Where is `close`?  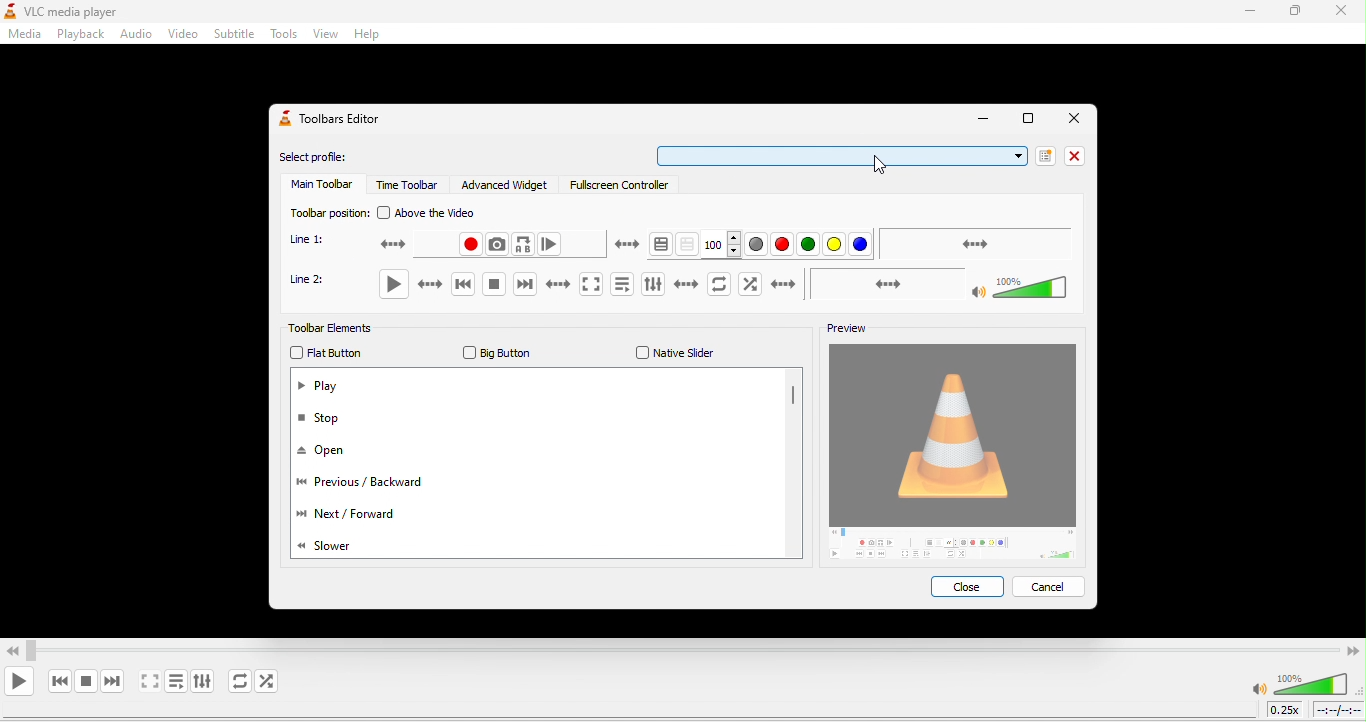 close is located at coordinates (1080, 155).